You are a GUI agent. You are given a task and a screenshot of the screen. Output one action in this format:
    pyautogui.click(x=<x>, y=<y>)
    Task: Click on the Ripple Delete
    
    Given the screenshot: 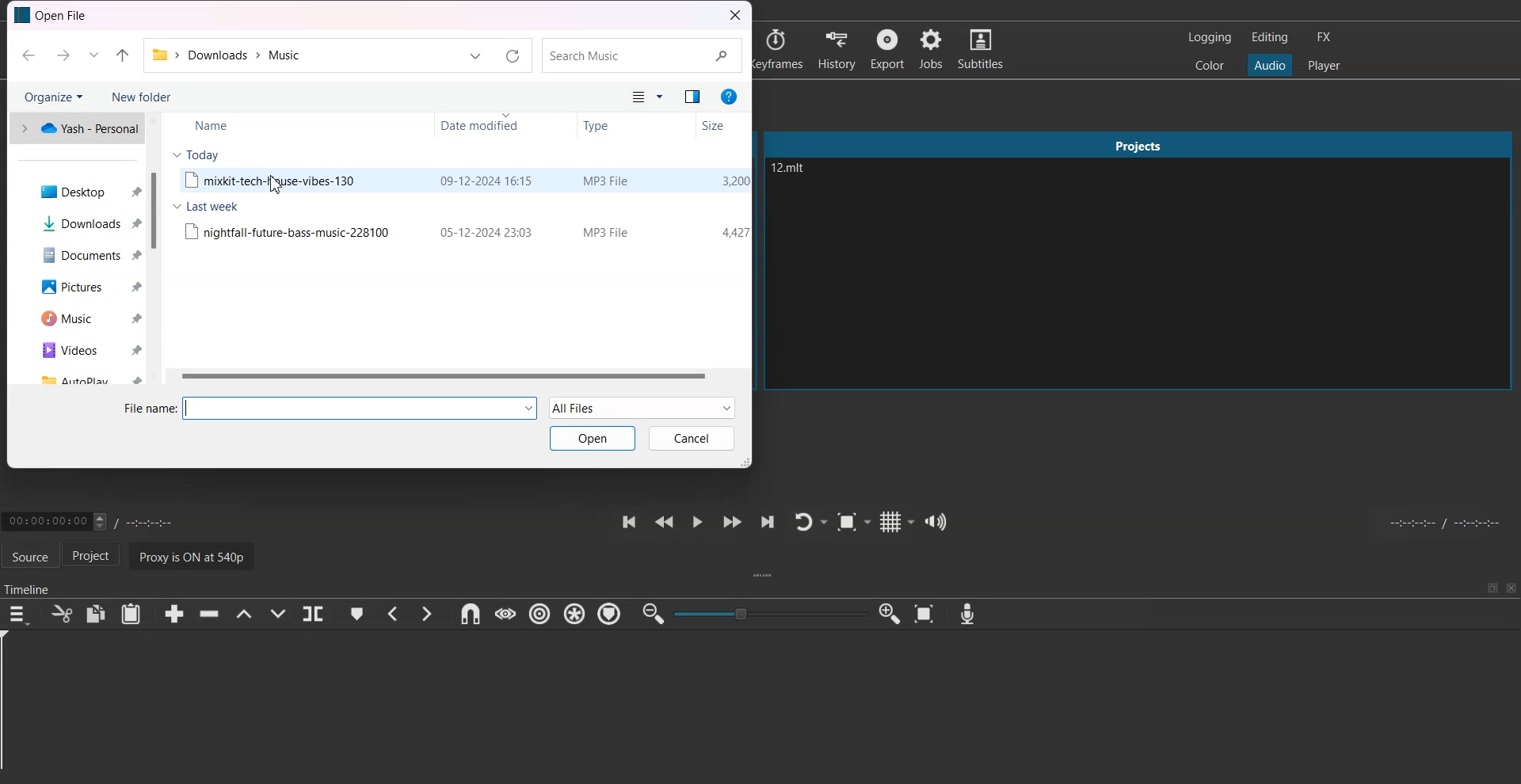 What is the action you would take?
    pyautogui.click(x=205, y=615)
    